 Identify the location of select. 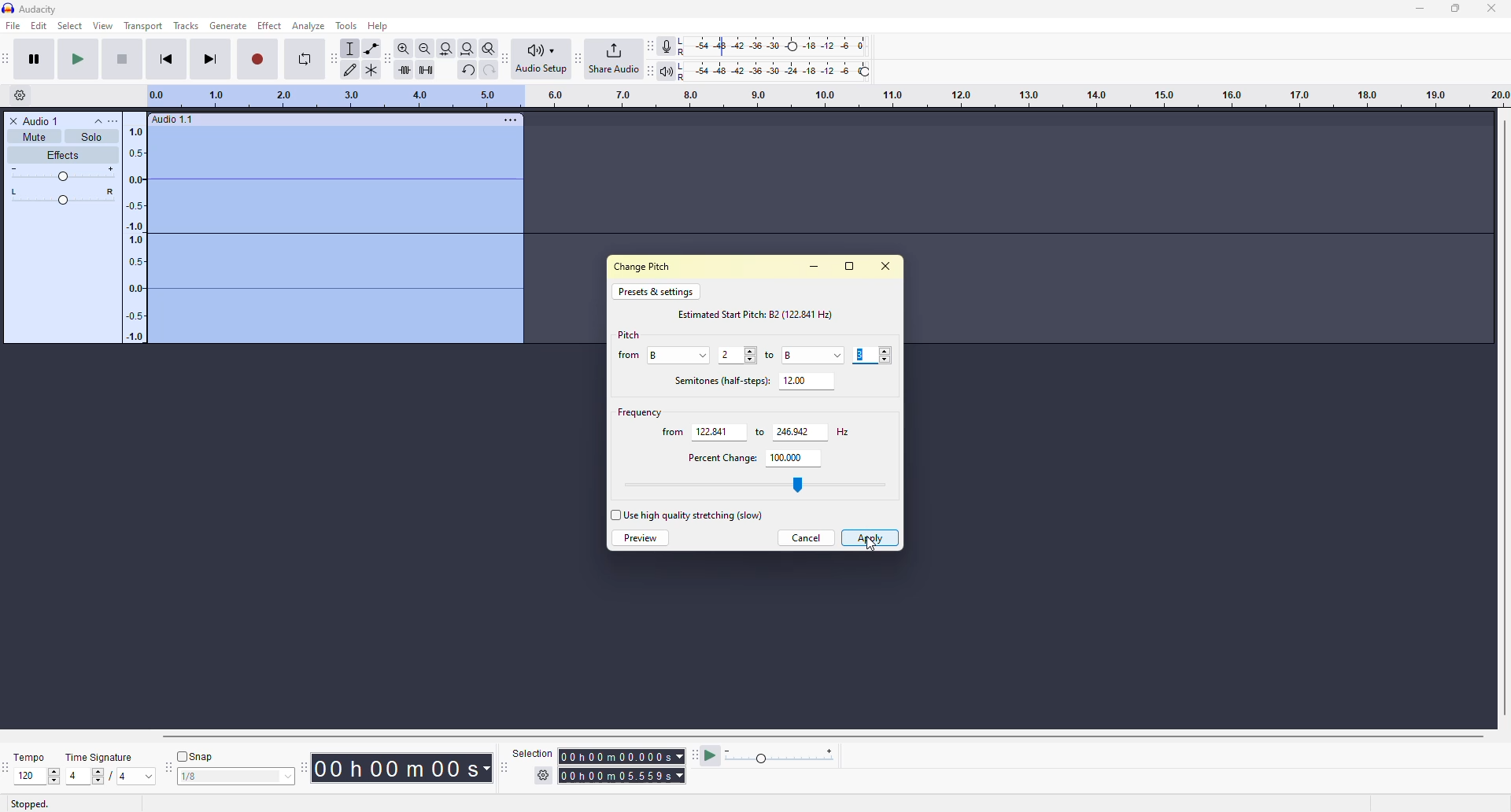
(614, 516).